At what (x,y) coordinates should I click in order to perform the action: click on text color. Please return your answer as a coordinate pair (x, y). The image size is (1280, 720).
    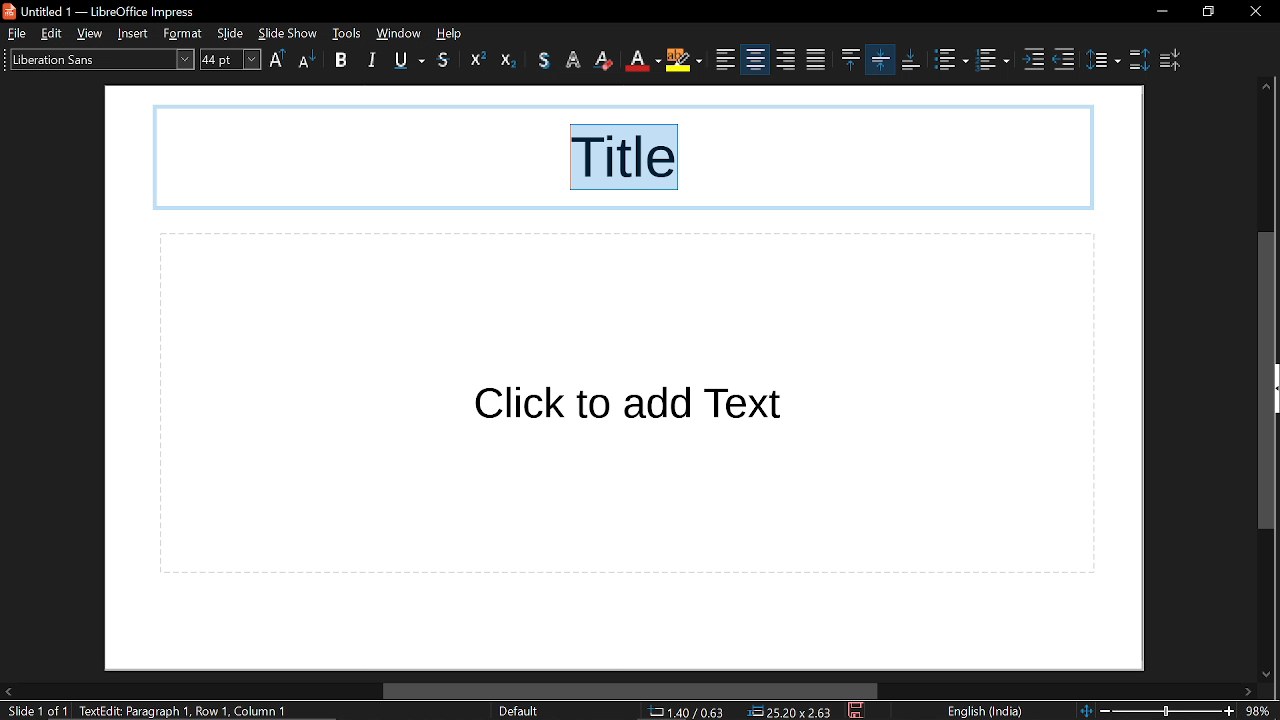
    Looking at the image, I should click on (605, 60).